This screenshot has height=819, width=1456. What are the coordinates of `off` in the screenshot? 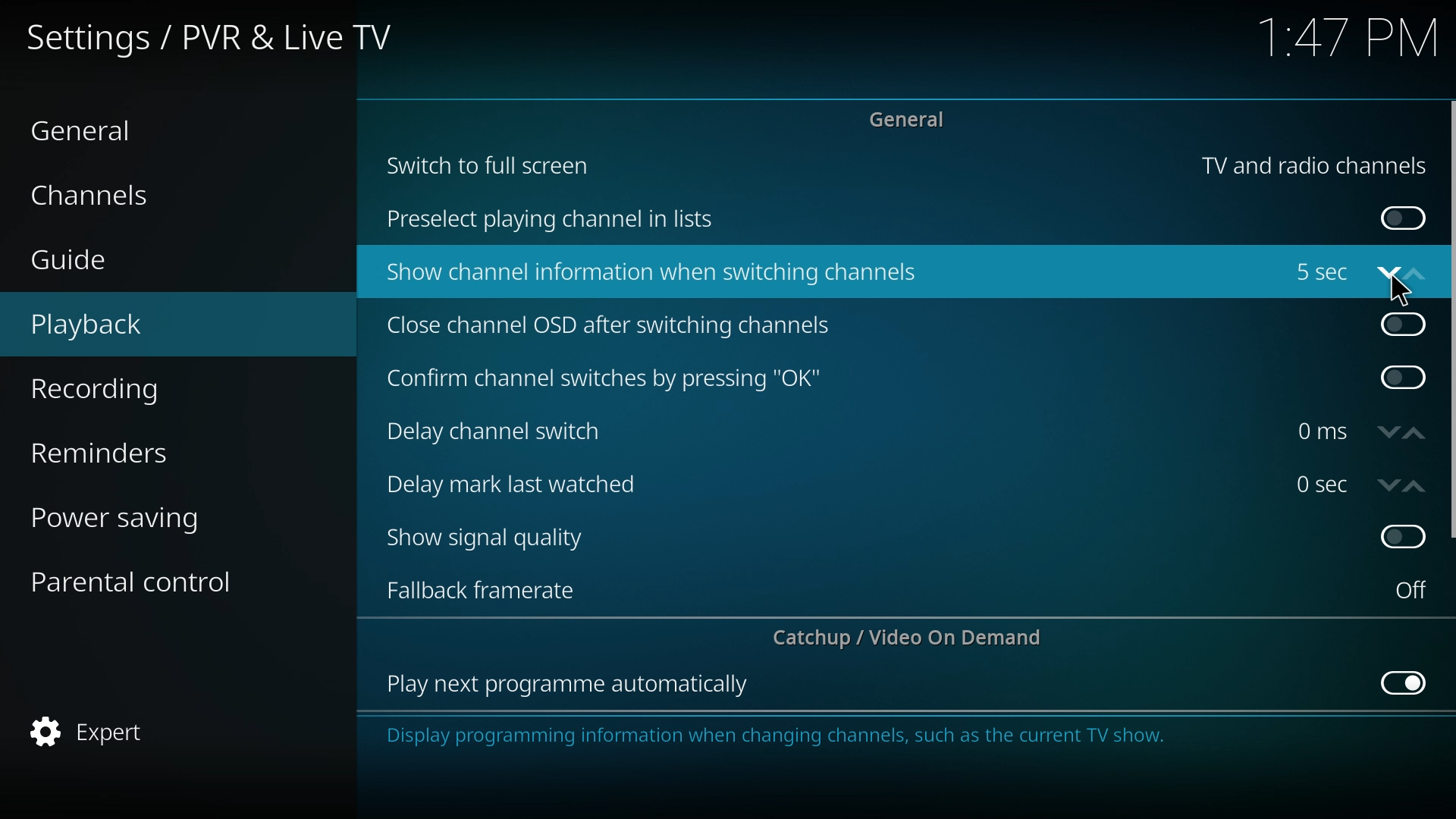 It's located at (1406, 378).